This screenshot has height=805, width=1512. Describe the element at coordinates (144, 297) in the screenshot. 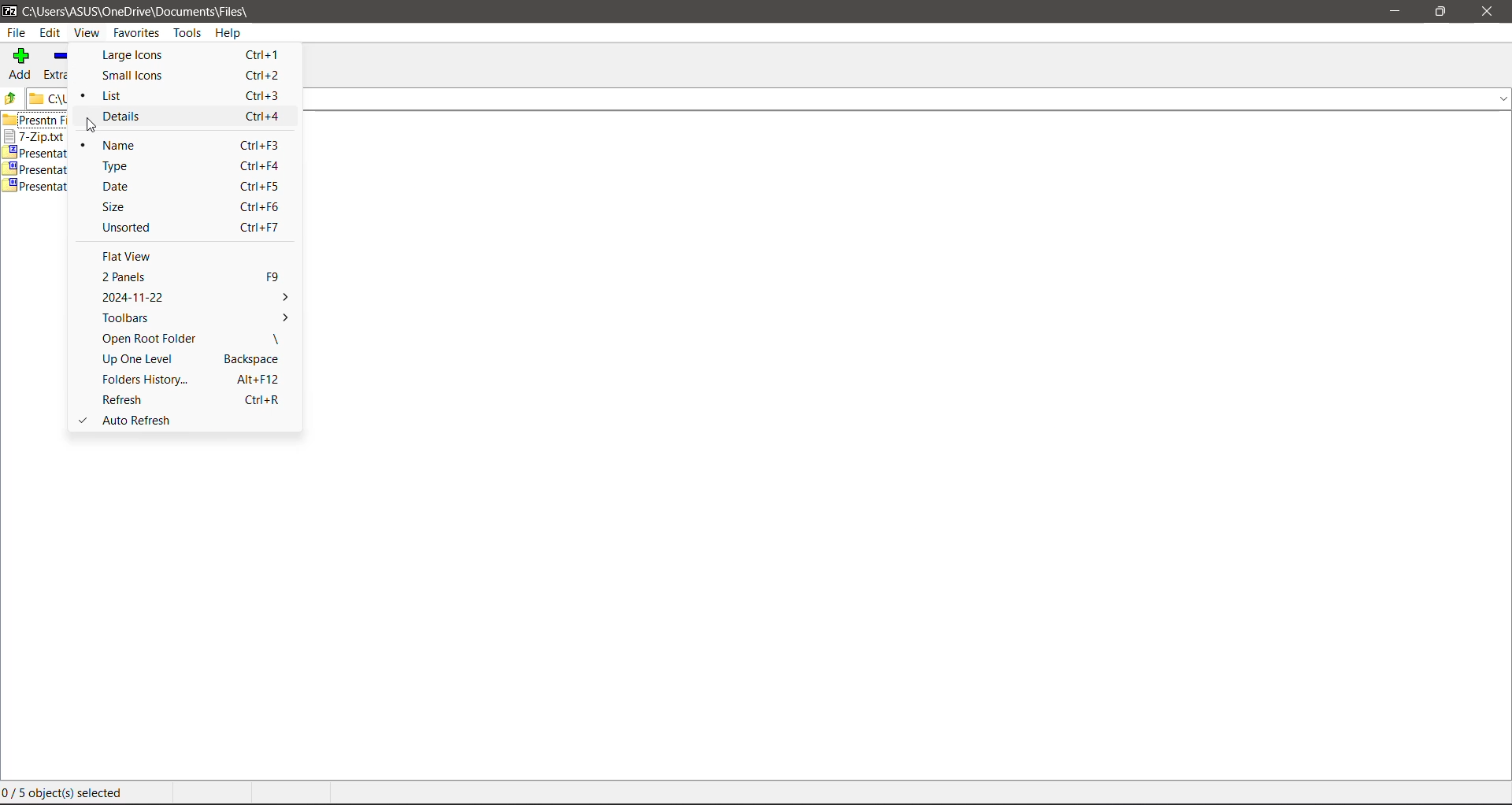

I see `2024-11-22` at that location.